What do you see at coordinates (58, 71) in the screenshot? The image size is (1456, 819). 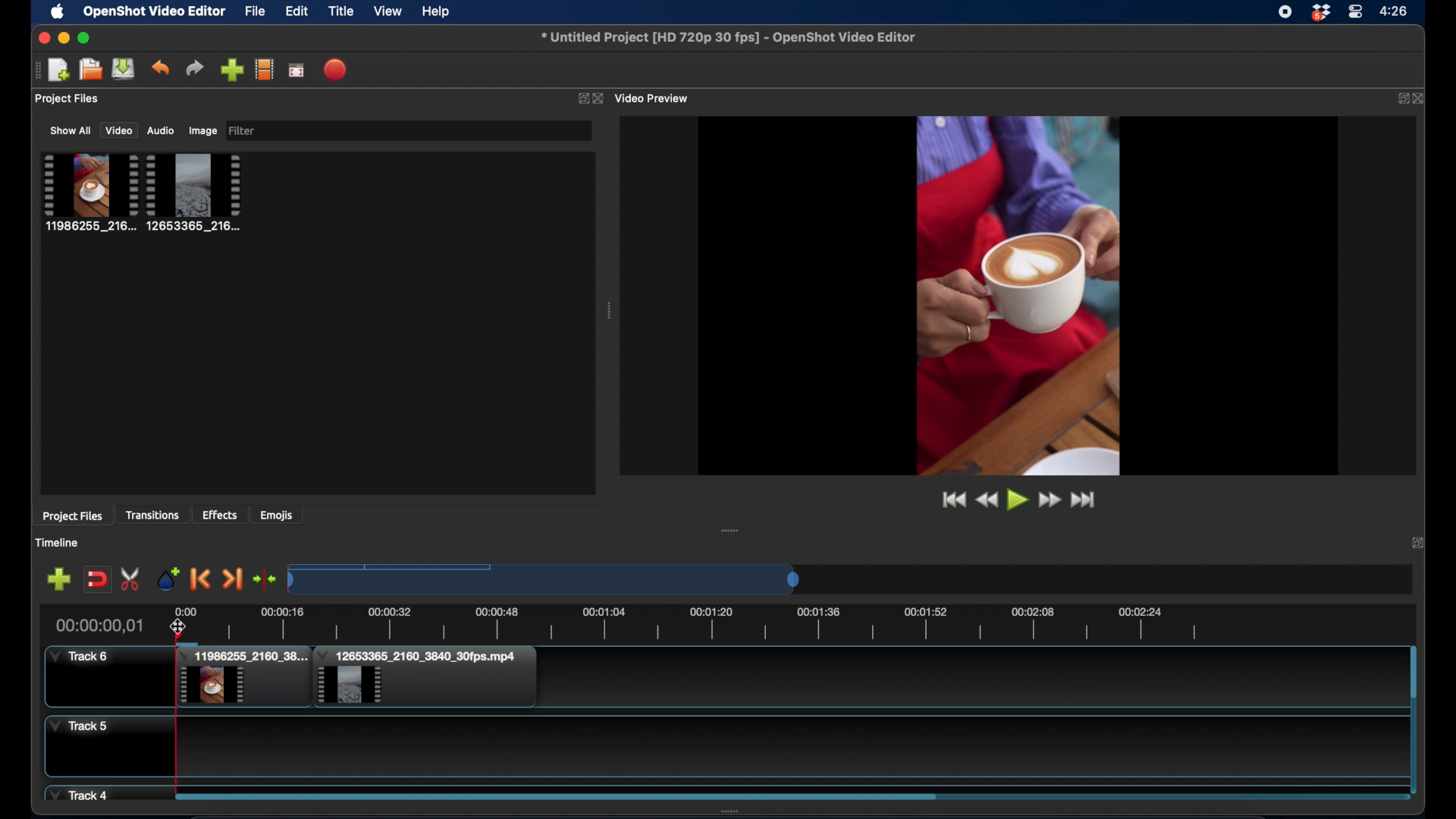 I see `open project` at bounding box center [58, 71].